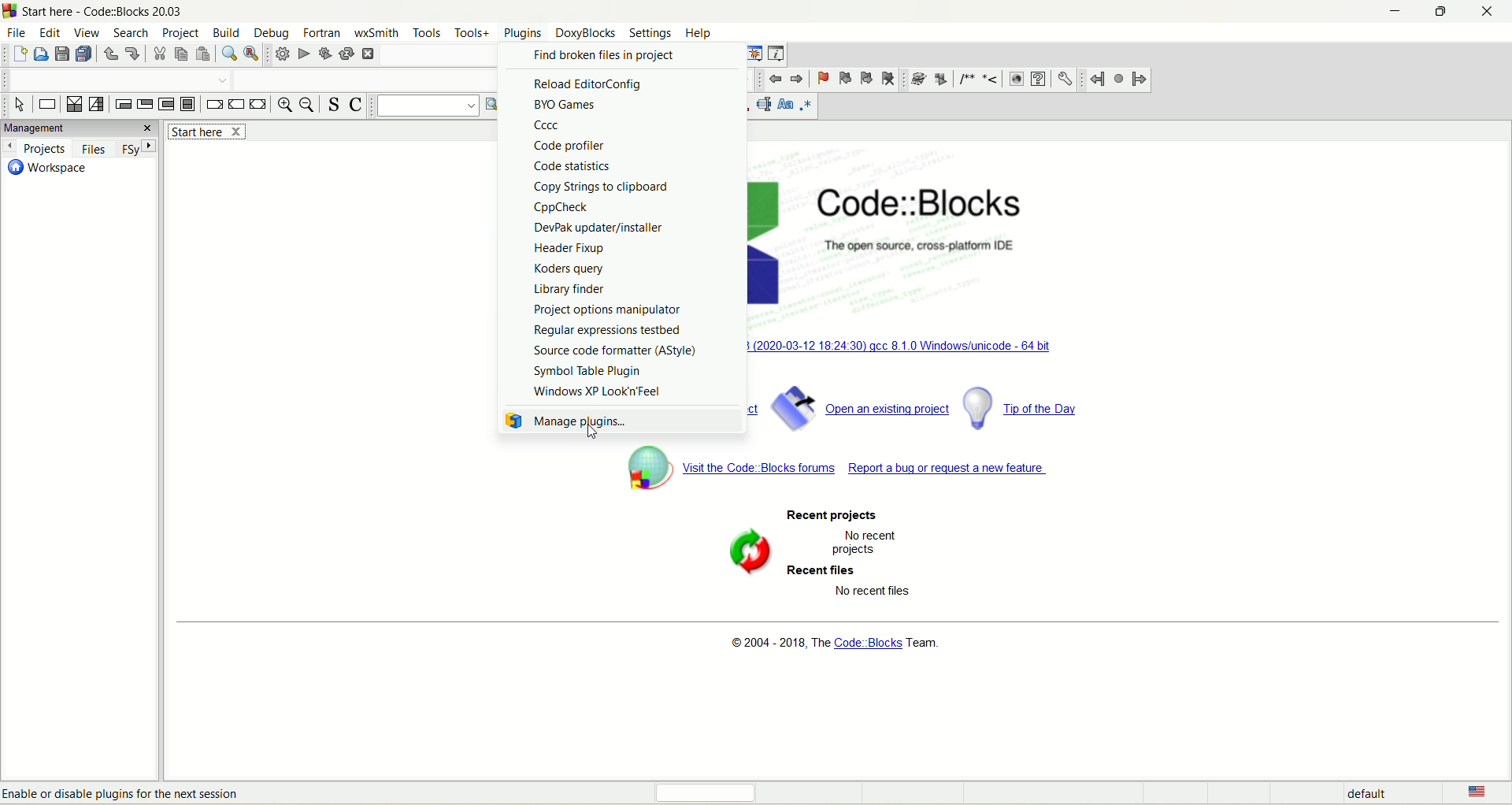 The image size is (1512, 805). What do you see at coordinates (806, 106) in the screenshot?
I see `regex` at bounding box center [806, 106].